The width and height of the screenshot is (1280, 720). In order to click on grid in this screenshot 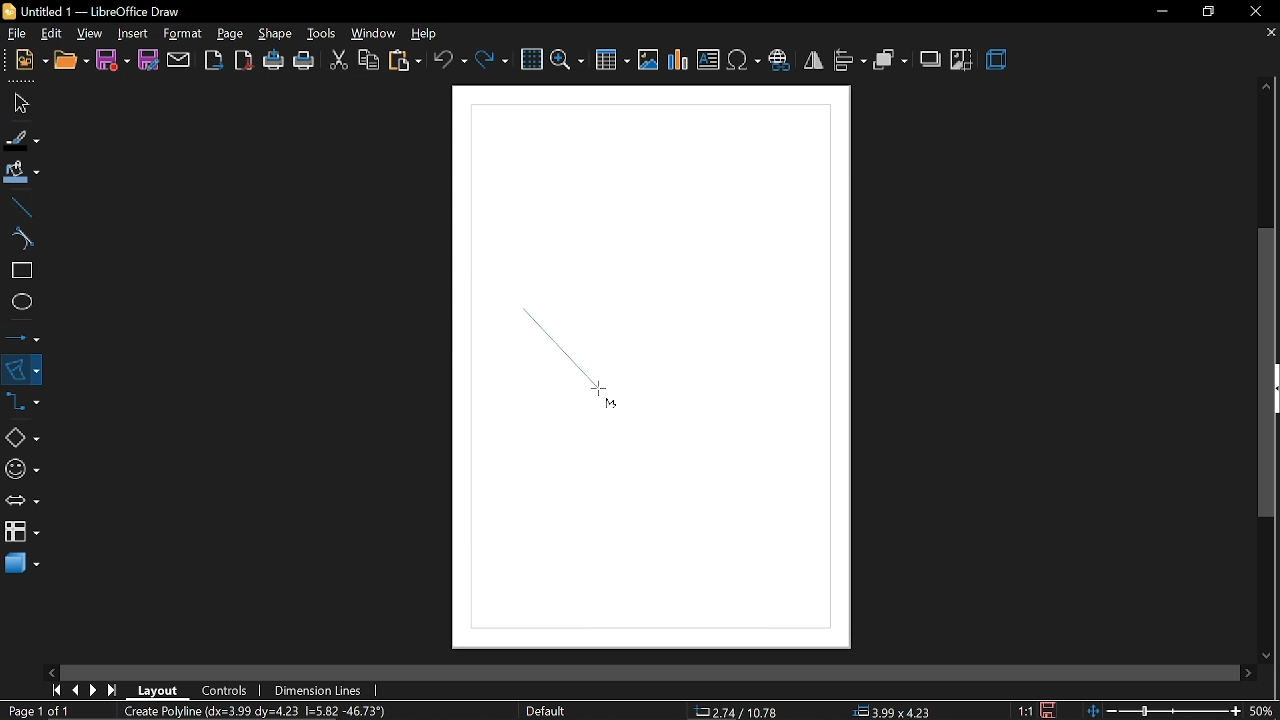, I will do `click(532, 60)`.